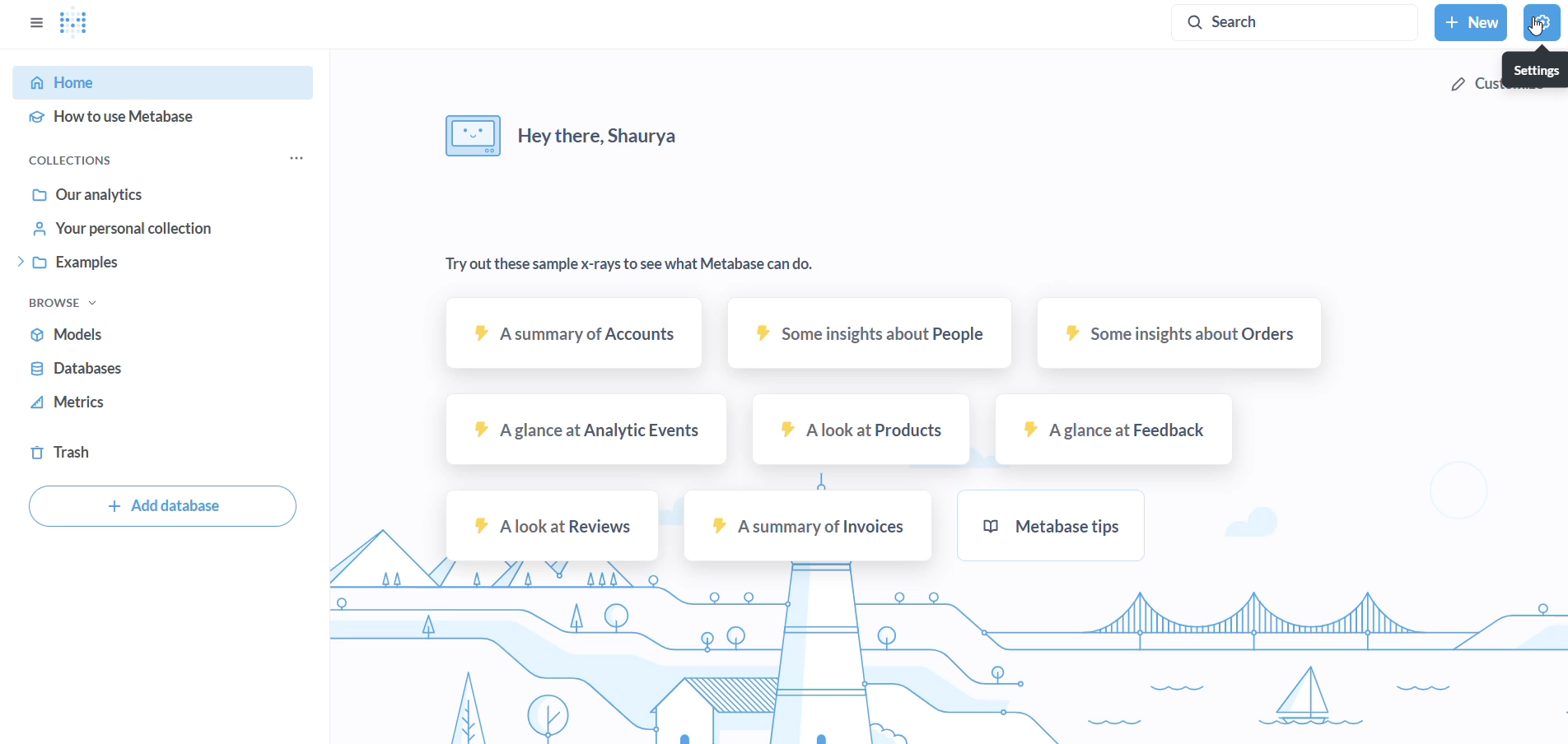 The width and height of the screenshot is (1568, 744). Describe the element at coordinates (65, 261) in the screenshot. I see `> [O Examples` at that location.